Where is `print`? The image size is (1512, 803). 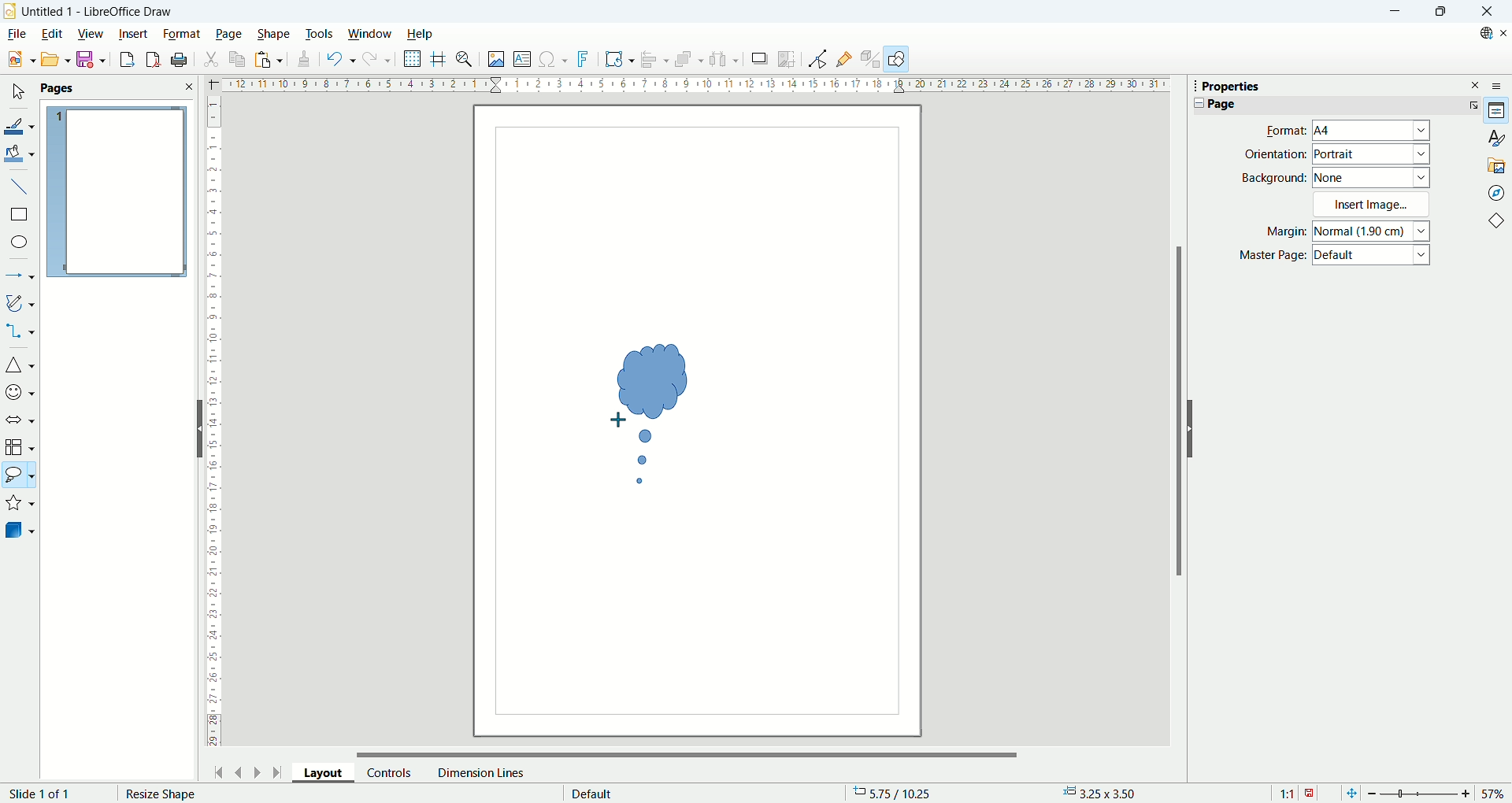 print is located at coordinates (180, 60).